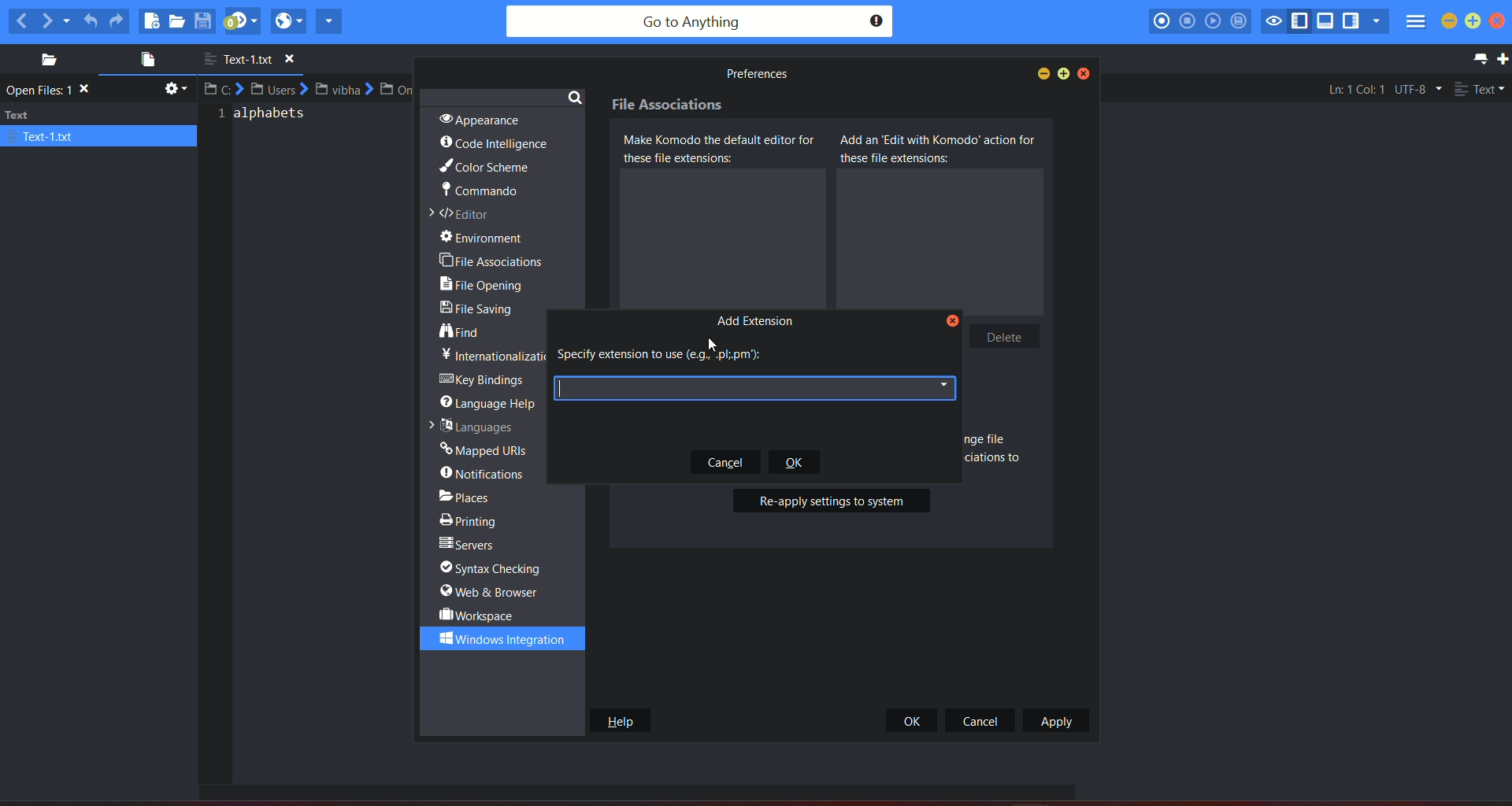 This screenshot has height=806, width=1512. Describe the element at coordinates (488, 354) in the screenshot. I see `text` at that location.